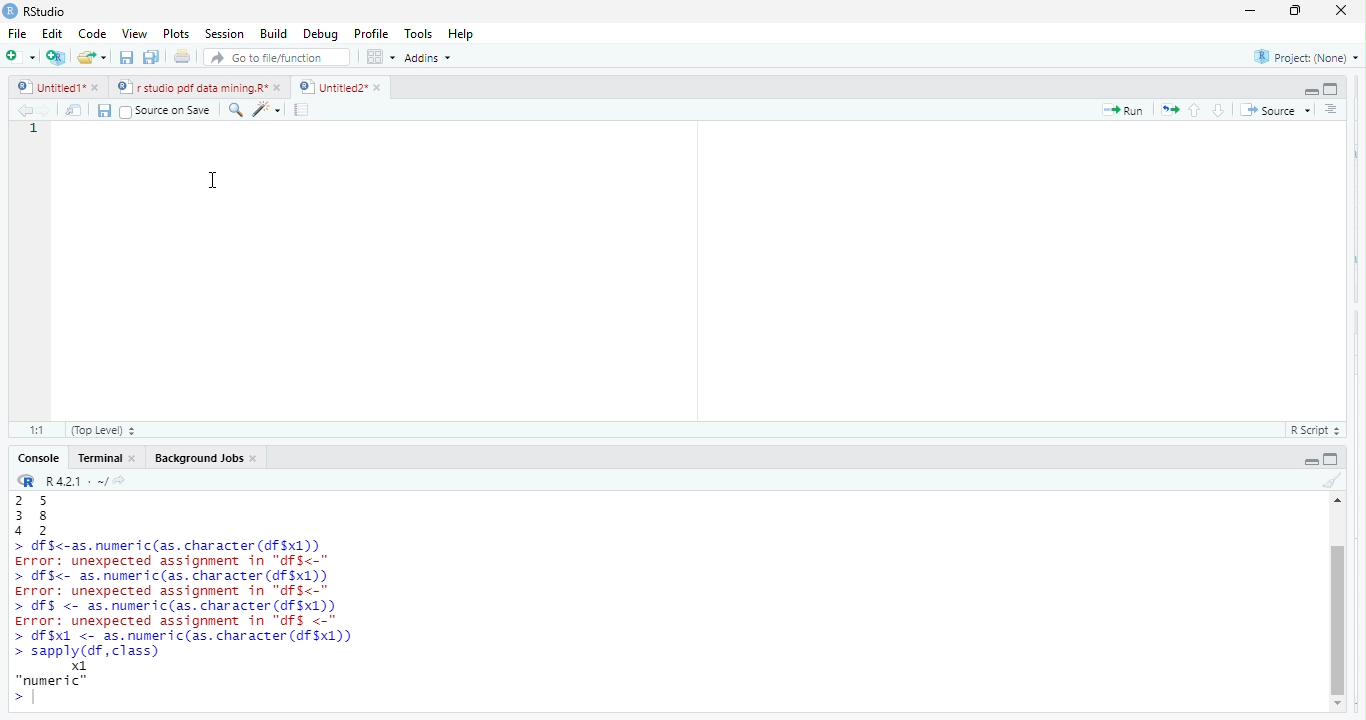 The height and width of the screenshot is (720, 1366). Describe the element at coordinates (56, 58) in the screenshot. I see `create a project` at that location.